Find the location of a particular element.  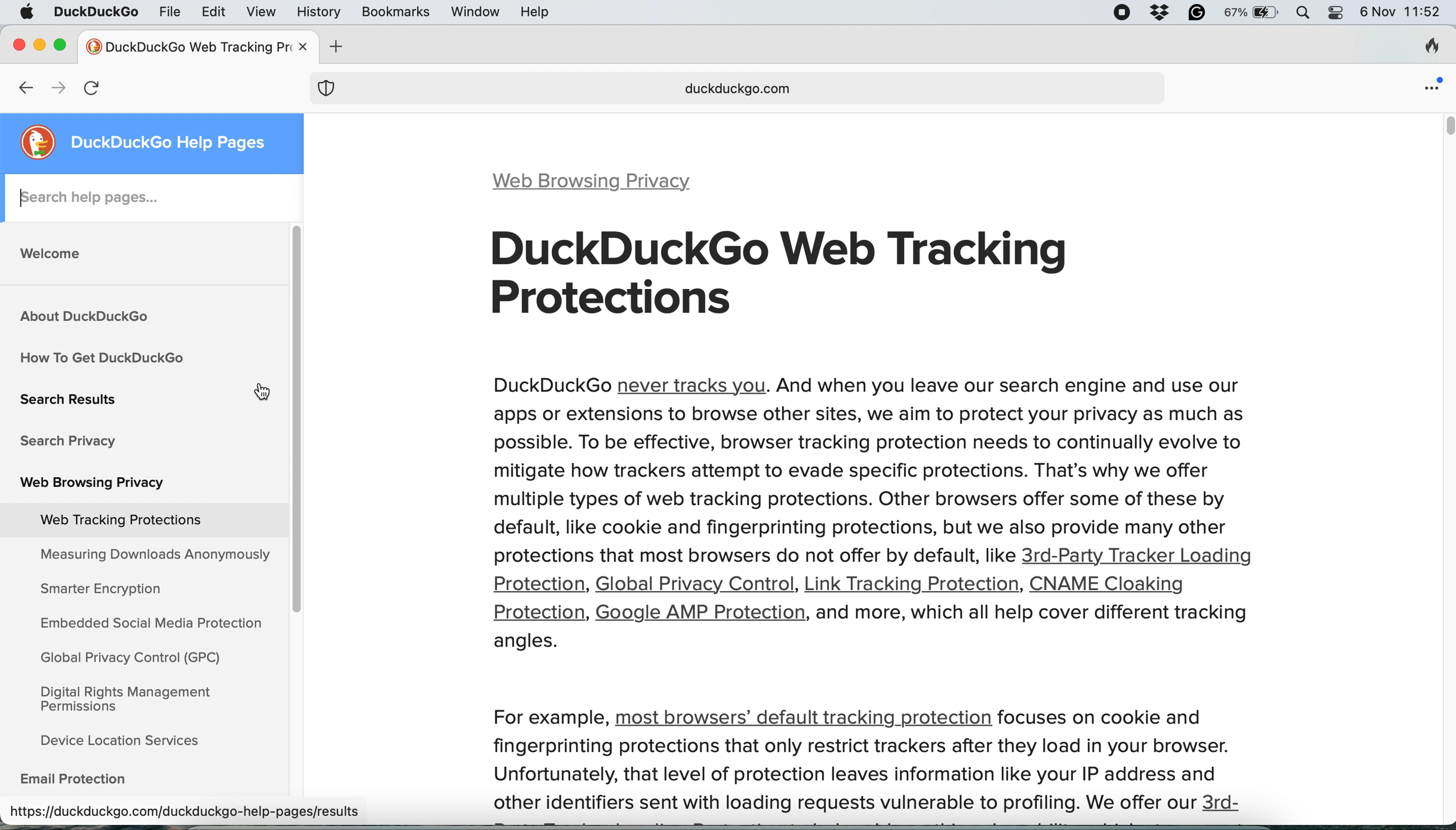

ocuses on cookie and is located at coordinates (1106, 720).